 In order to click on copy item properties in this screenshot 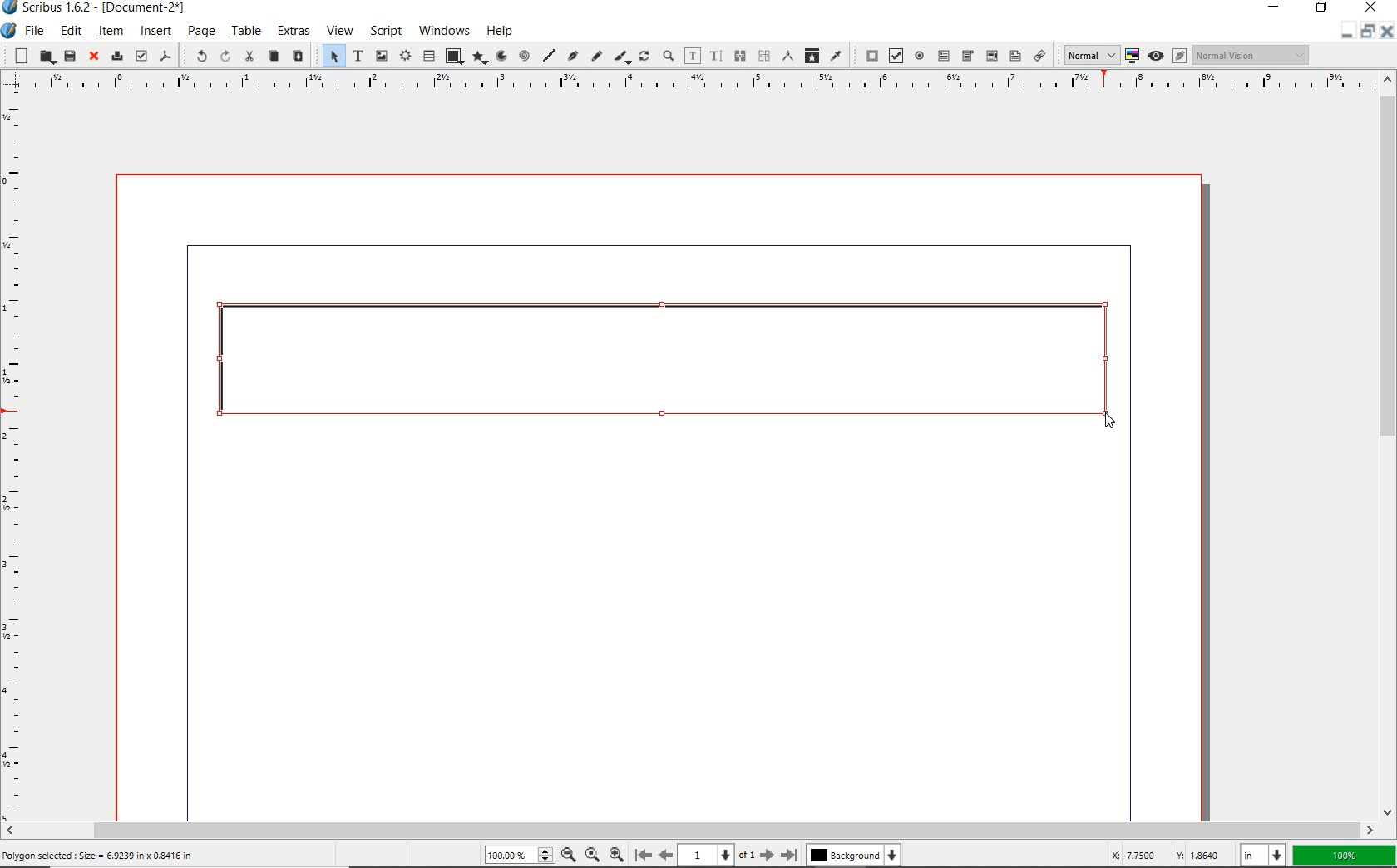, I will do `click(812, 55)`.